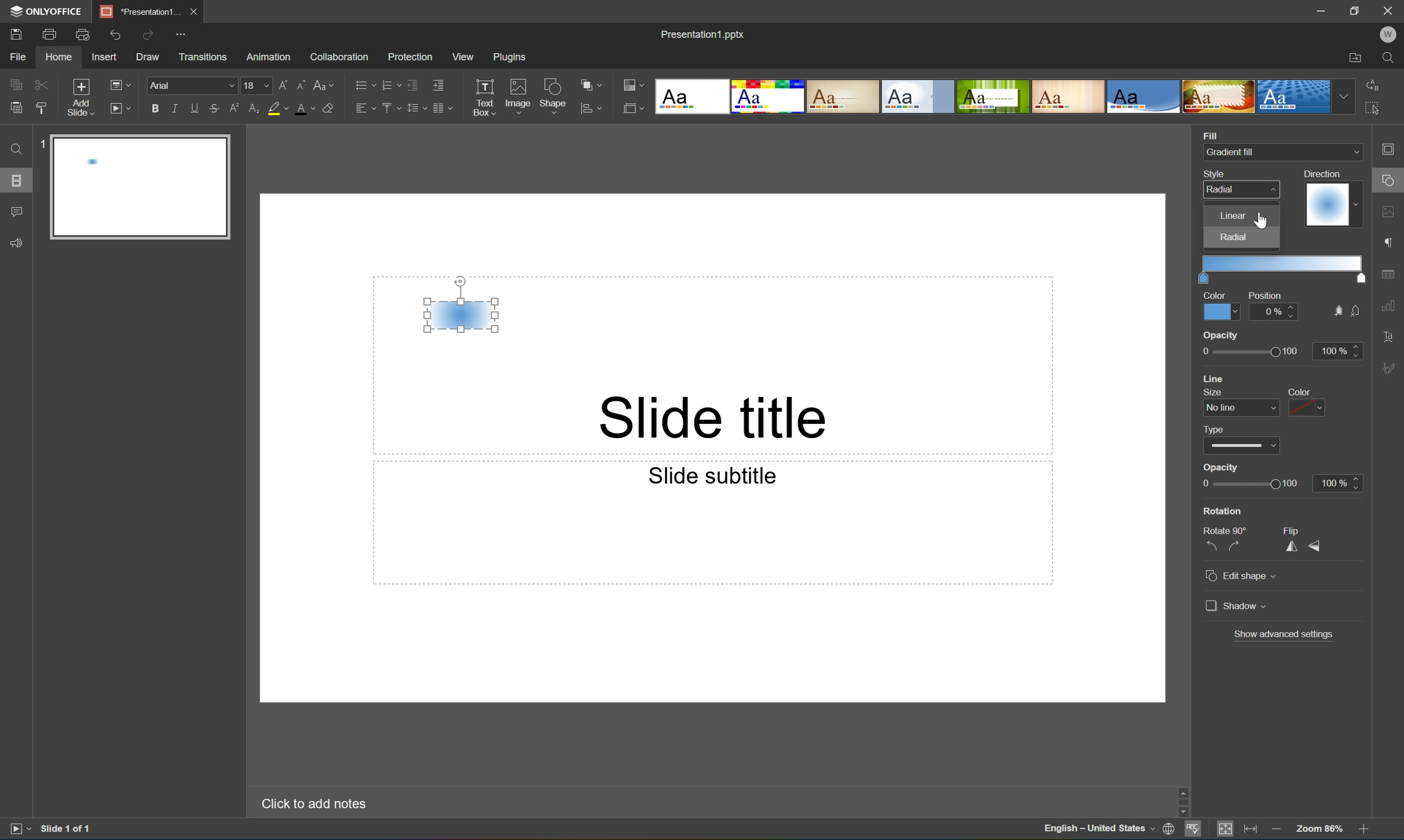 The height and width of the screenshot is (840, 1404). I want to click on color, so click(1296, 392).